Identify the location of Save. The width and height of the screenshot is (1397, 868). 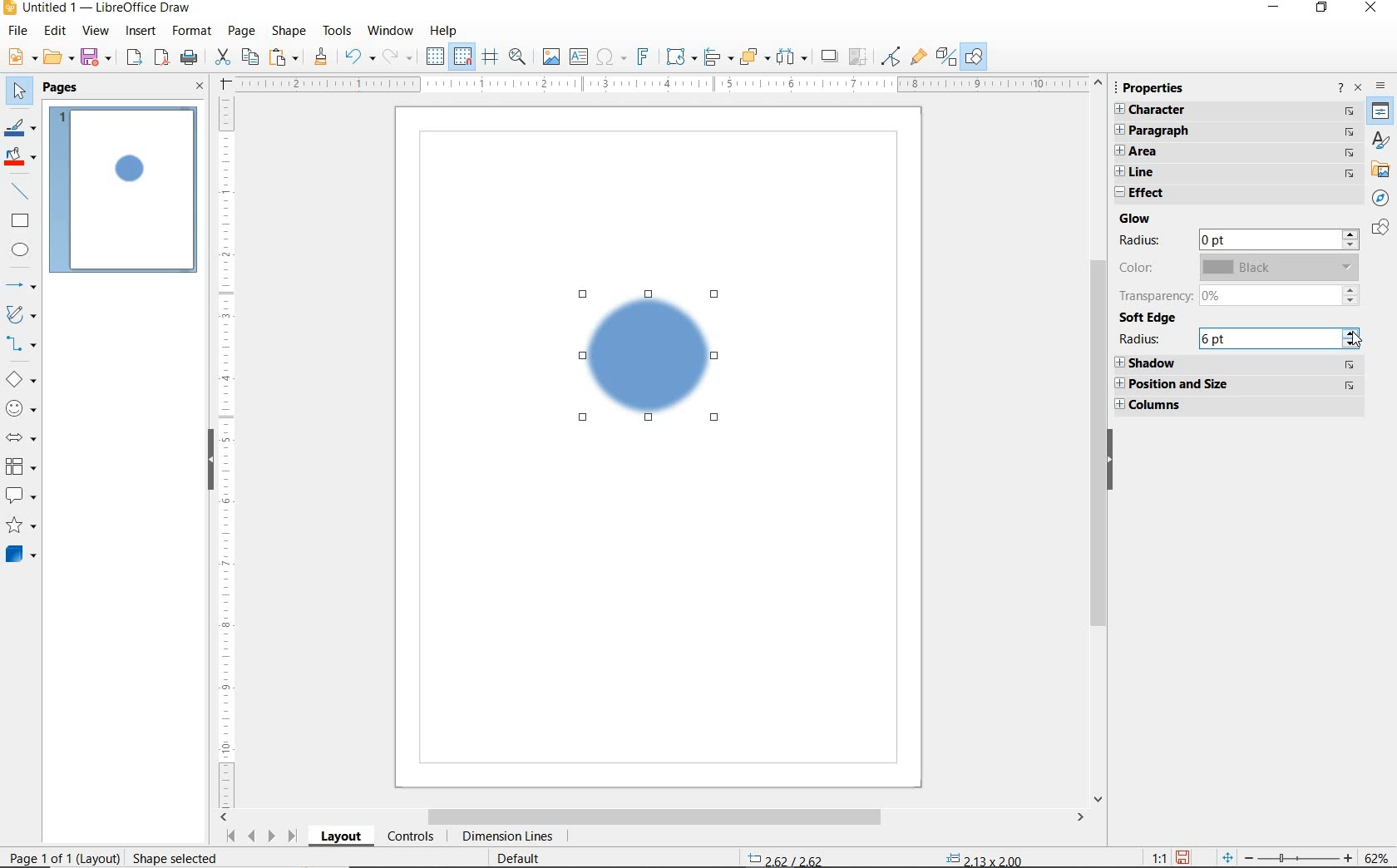
(1182, 857).